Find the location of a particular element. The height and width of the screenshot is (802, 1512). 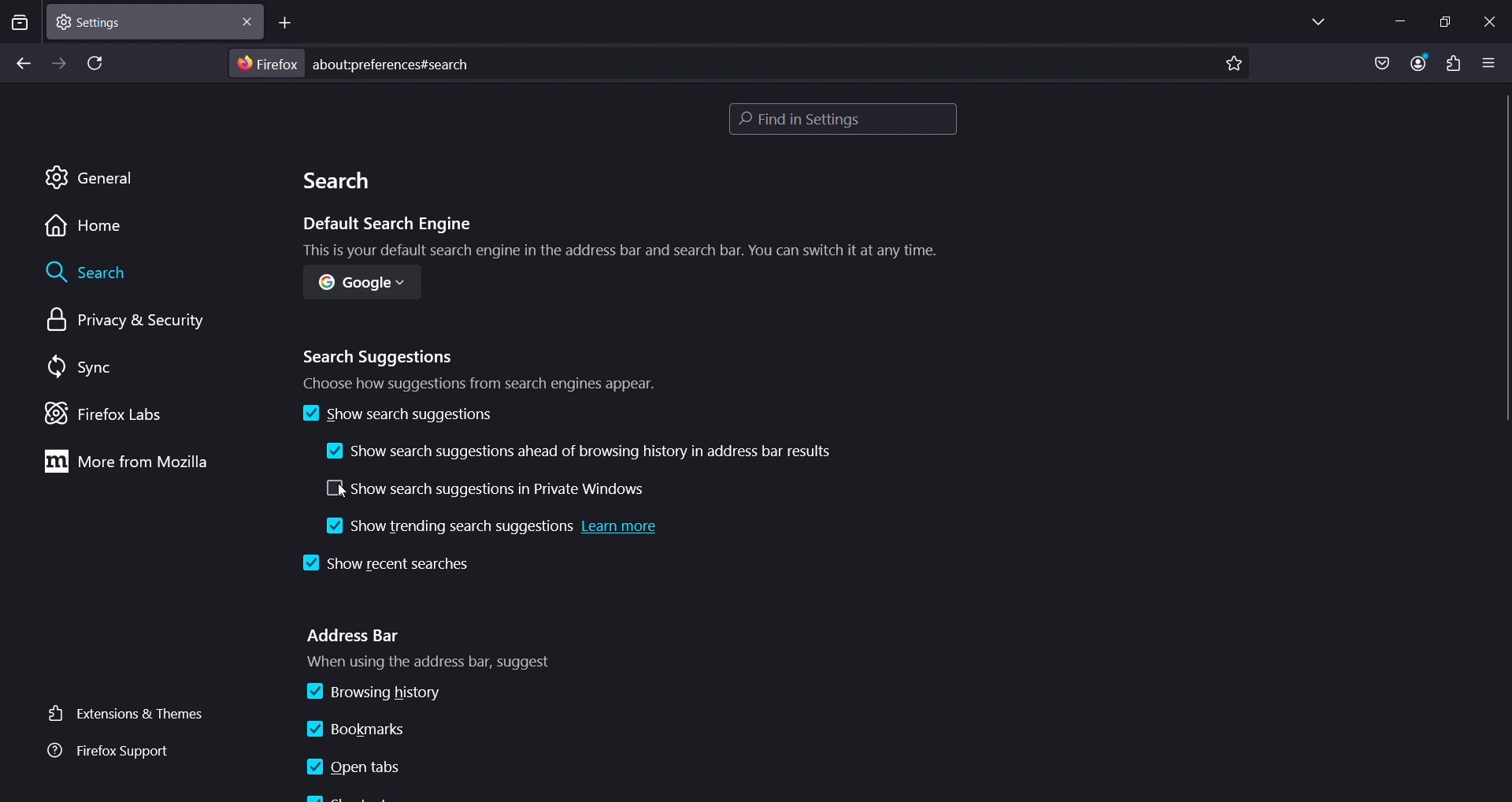

save to pocker is located at coordinates (1381, 64).